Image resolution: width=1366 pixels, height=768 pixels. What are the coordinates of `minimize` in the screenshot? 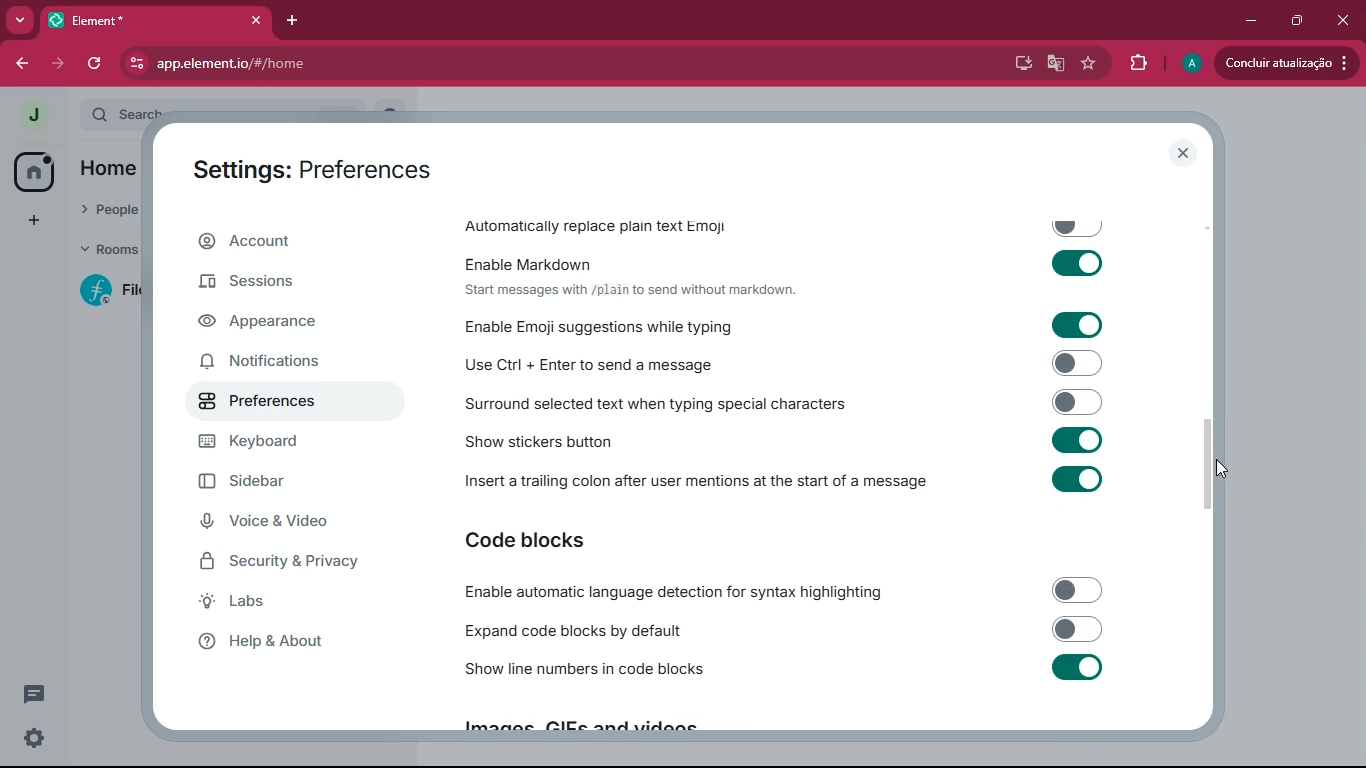 It's located at (1250, 21).